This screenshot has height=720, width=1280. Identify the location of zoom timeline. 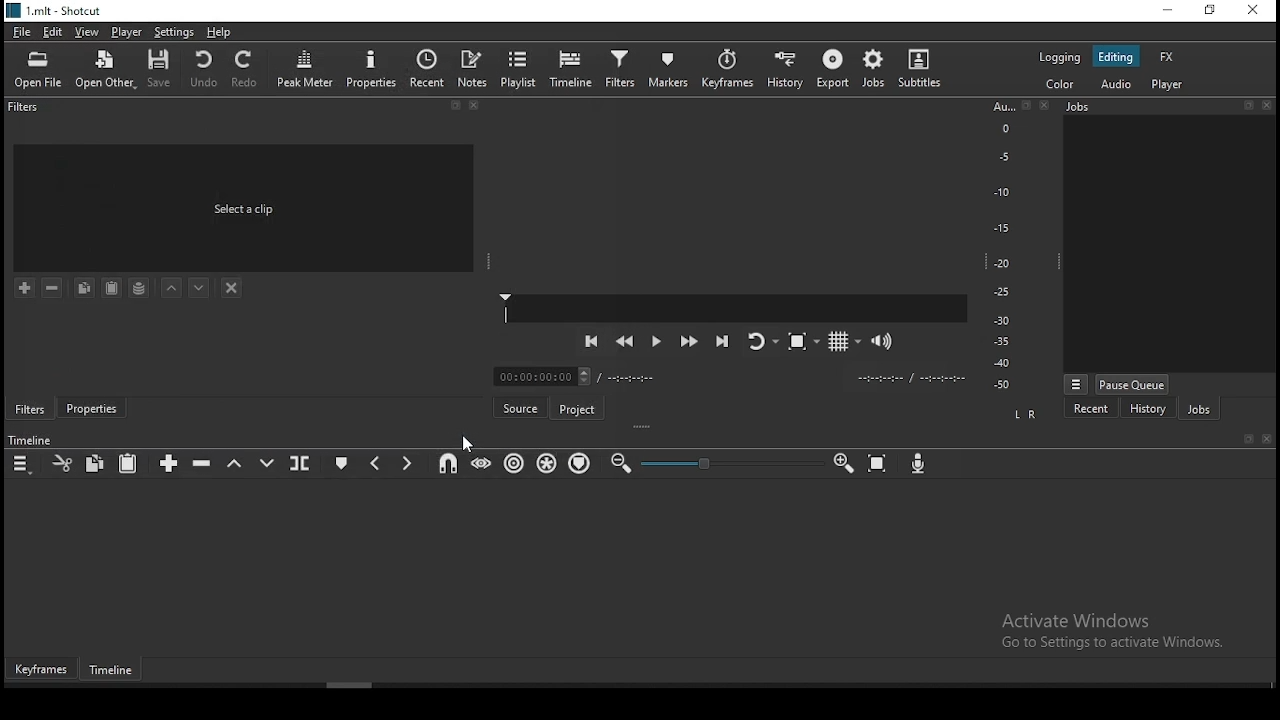
(843, 463).